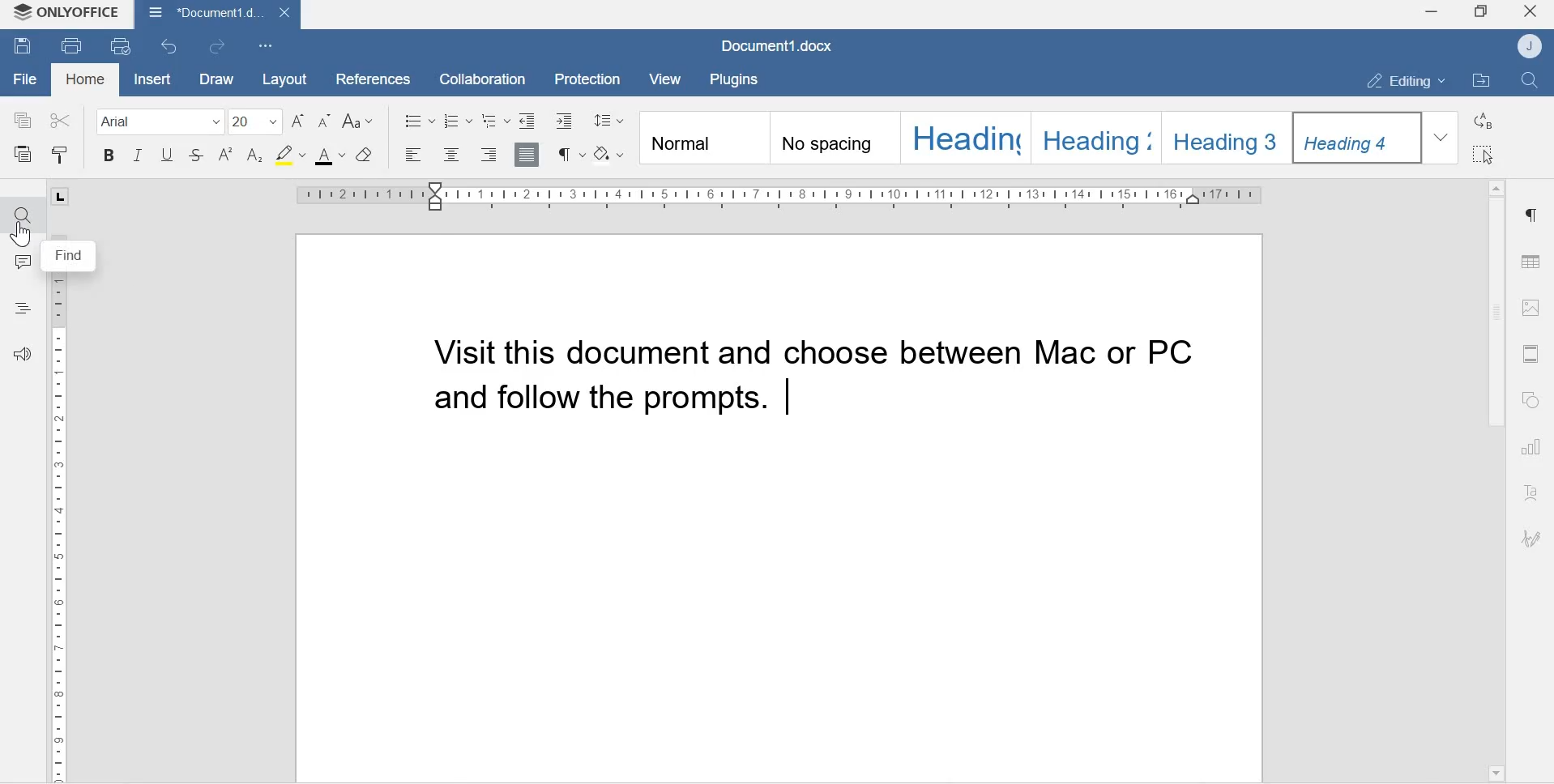 This screenshot has width=1554, height=784. Describe the element at coordinates (361, 121) in the screenshot. I see `Change case` at that location.